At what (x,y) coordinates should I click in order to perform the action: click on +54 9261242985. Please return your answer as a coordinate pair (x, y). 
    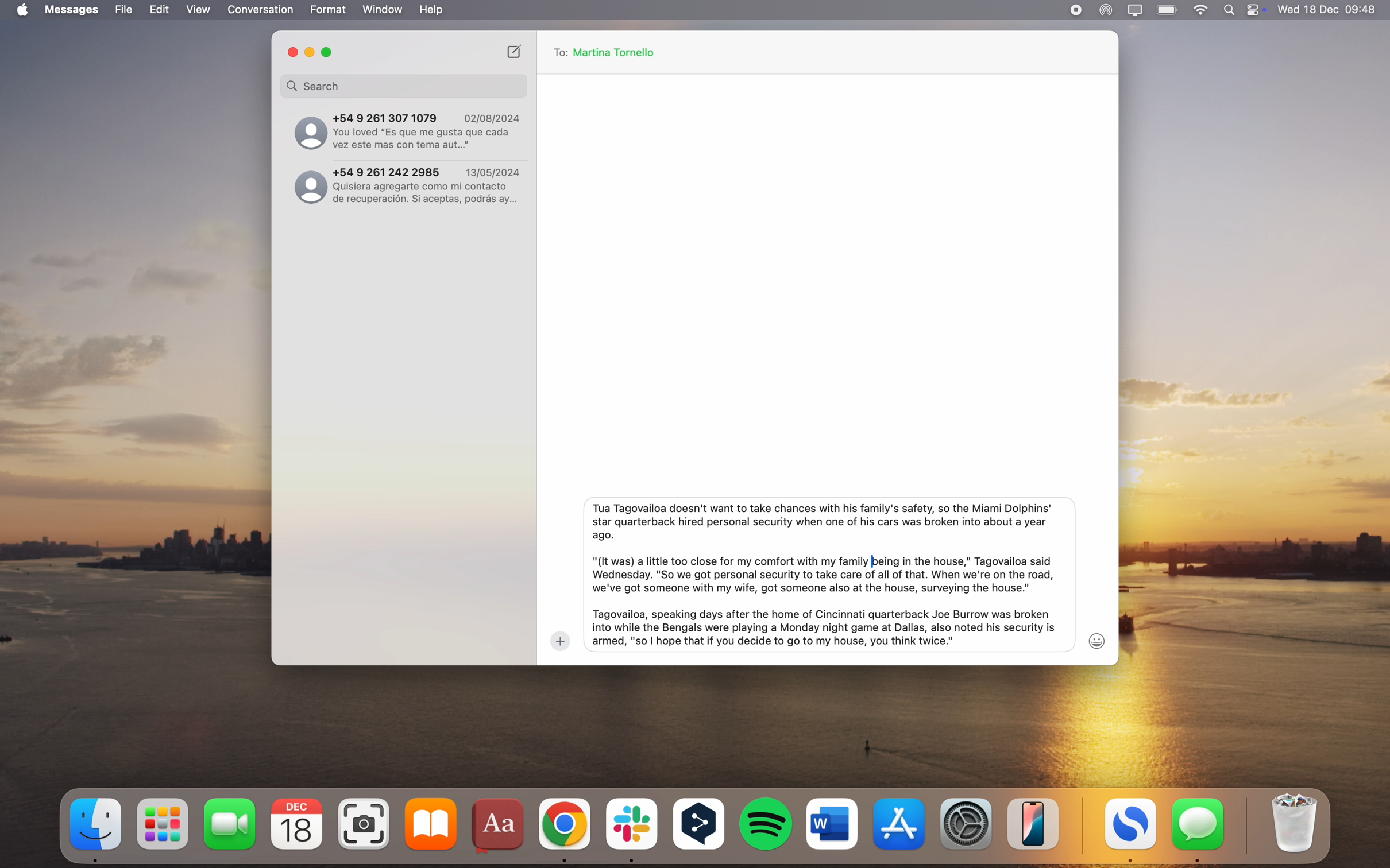
    Looking at the image, I should click on (408, 187).